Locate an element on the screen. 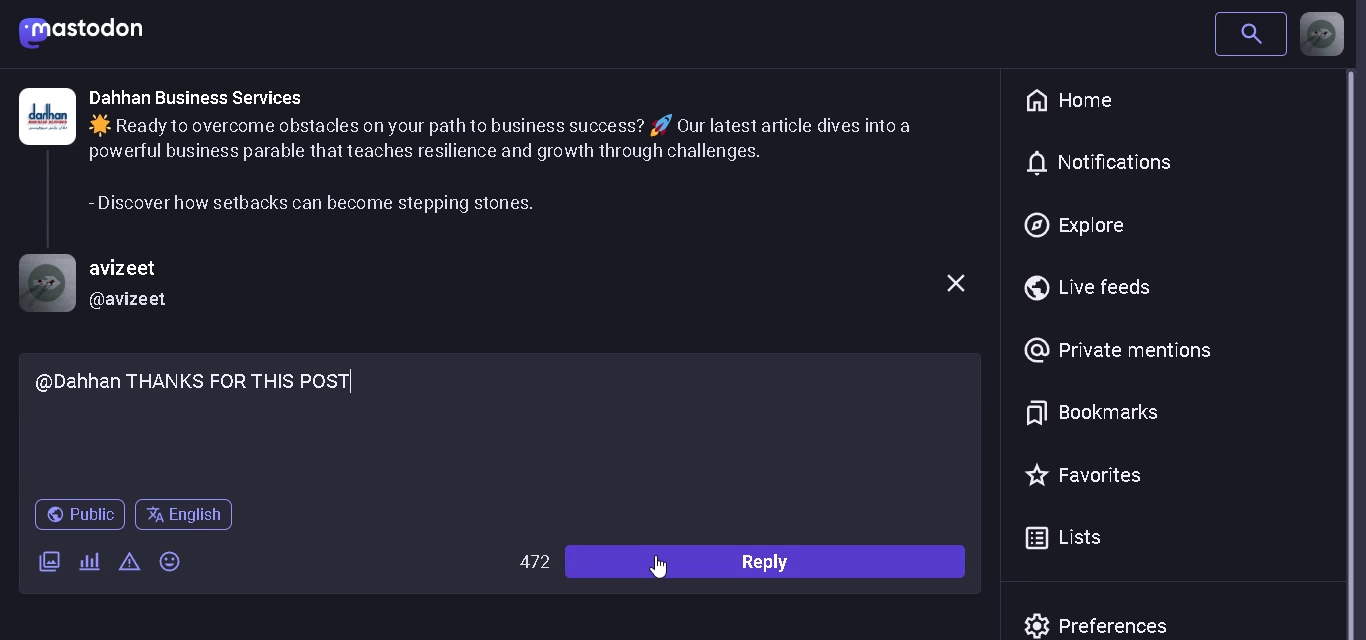 This screenshot has height=640, width=1366. public post is located at coordinates (79, 515).